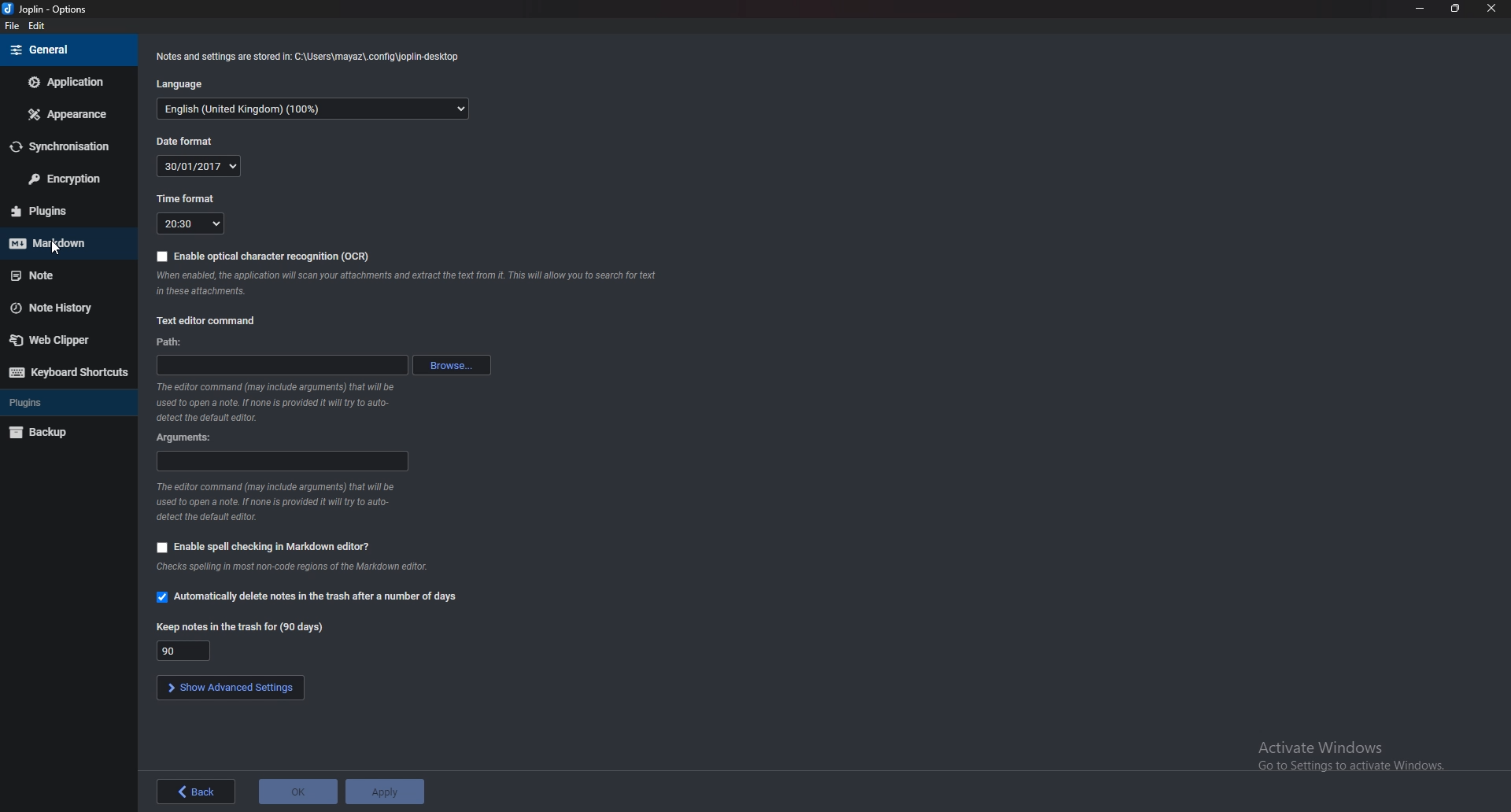  I want to click on Resize, so click(1454, 8).